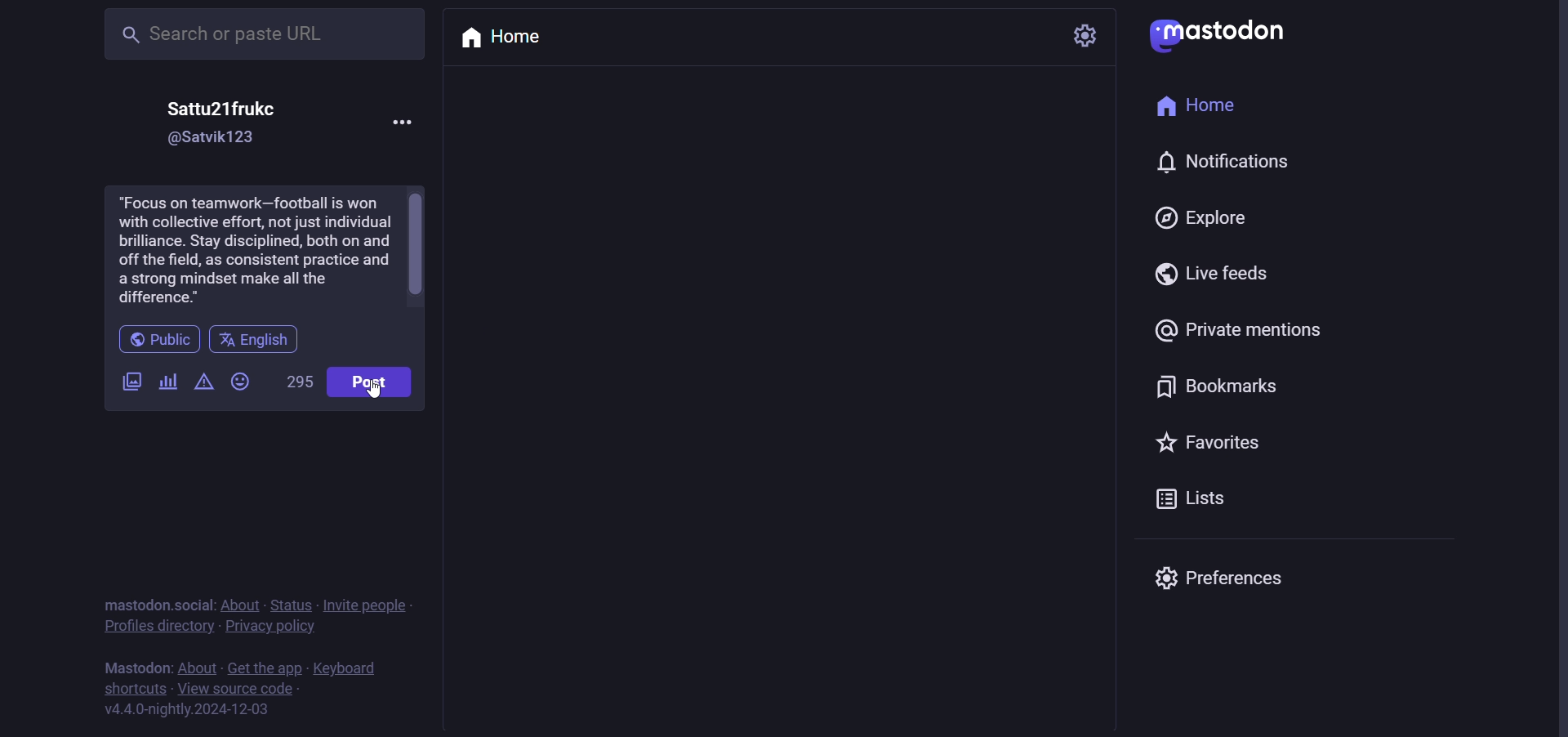 Image resolution: width=1568 pixels, height=737 pixels. Describe the element at coordinates (290, 603) in the screenshot. I see `status` at that location.